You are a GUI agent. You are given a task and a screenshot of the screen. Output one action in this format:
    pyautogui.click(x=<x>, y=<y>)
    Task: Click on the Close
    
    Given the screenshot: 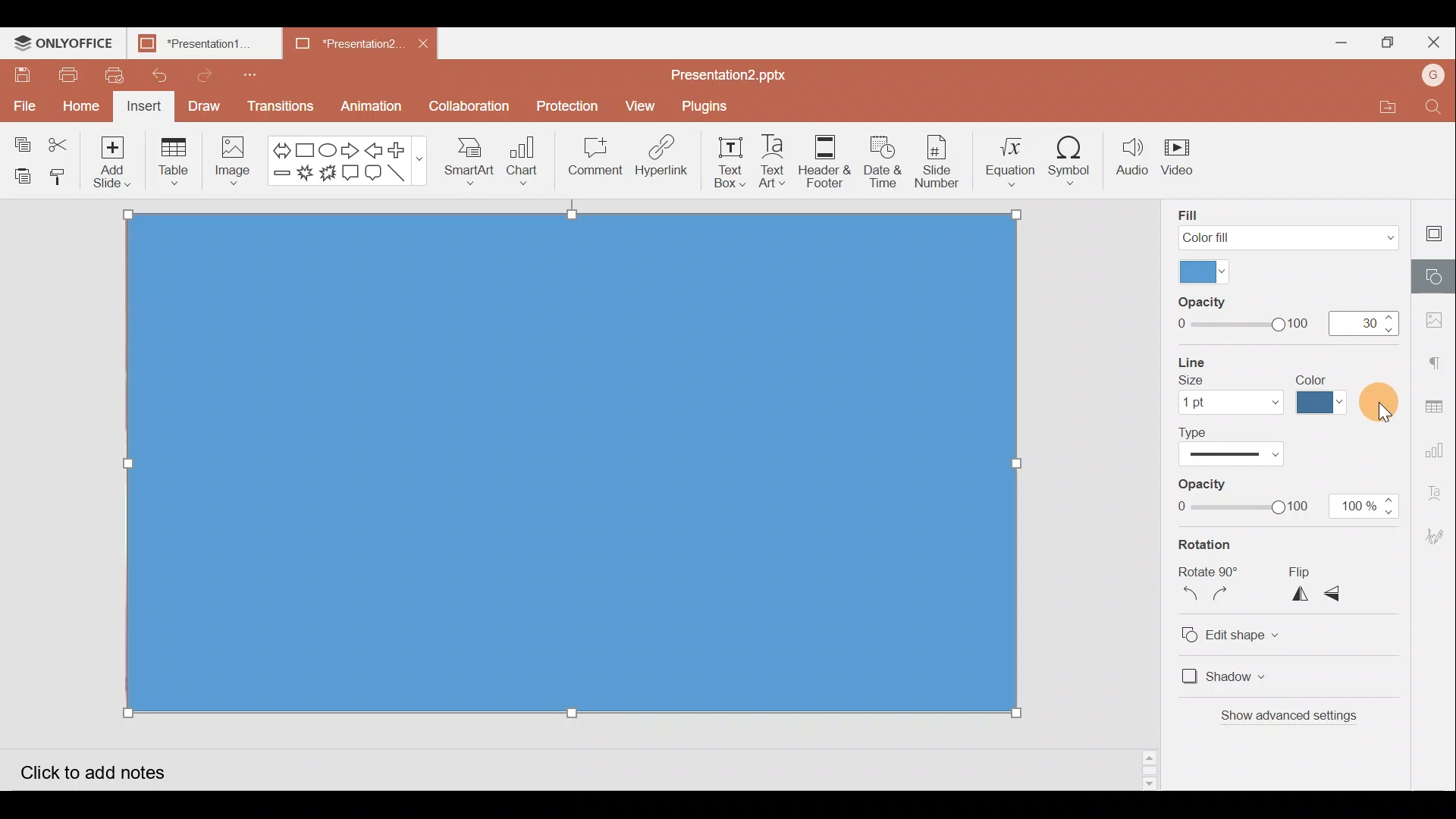 What is the action you would take?
    pyautogui.click(x=1434, y=41)
    